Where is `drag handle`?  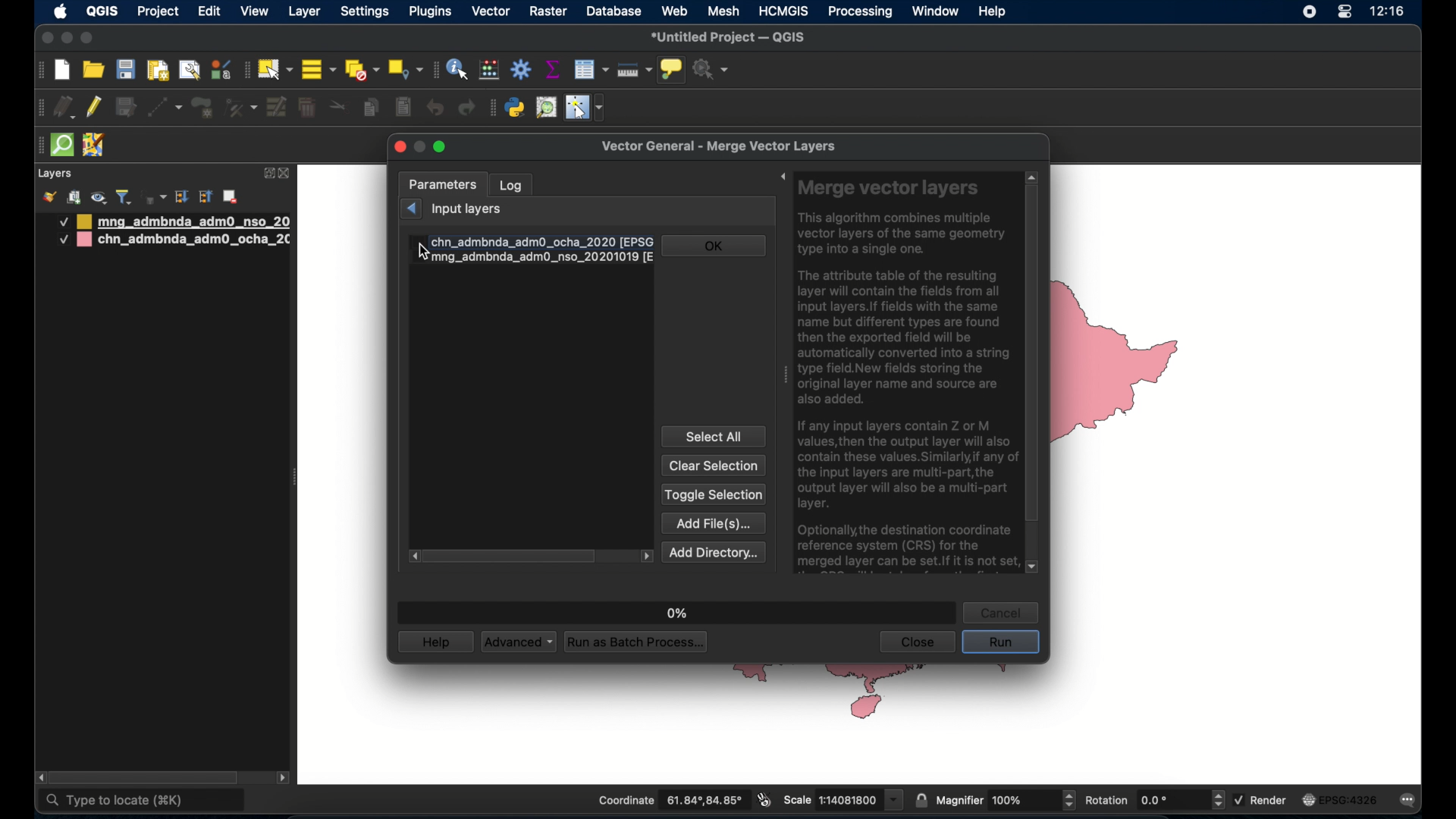 drag handle is located at coordinates (36, 146).